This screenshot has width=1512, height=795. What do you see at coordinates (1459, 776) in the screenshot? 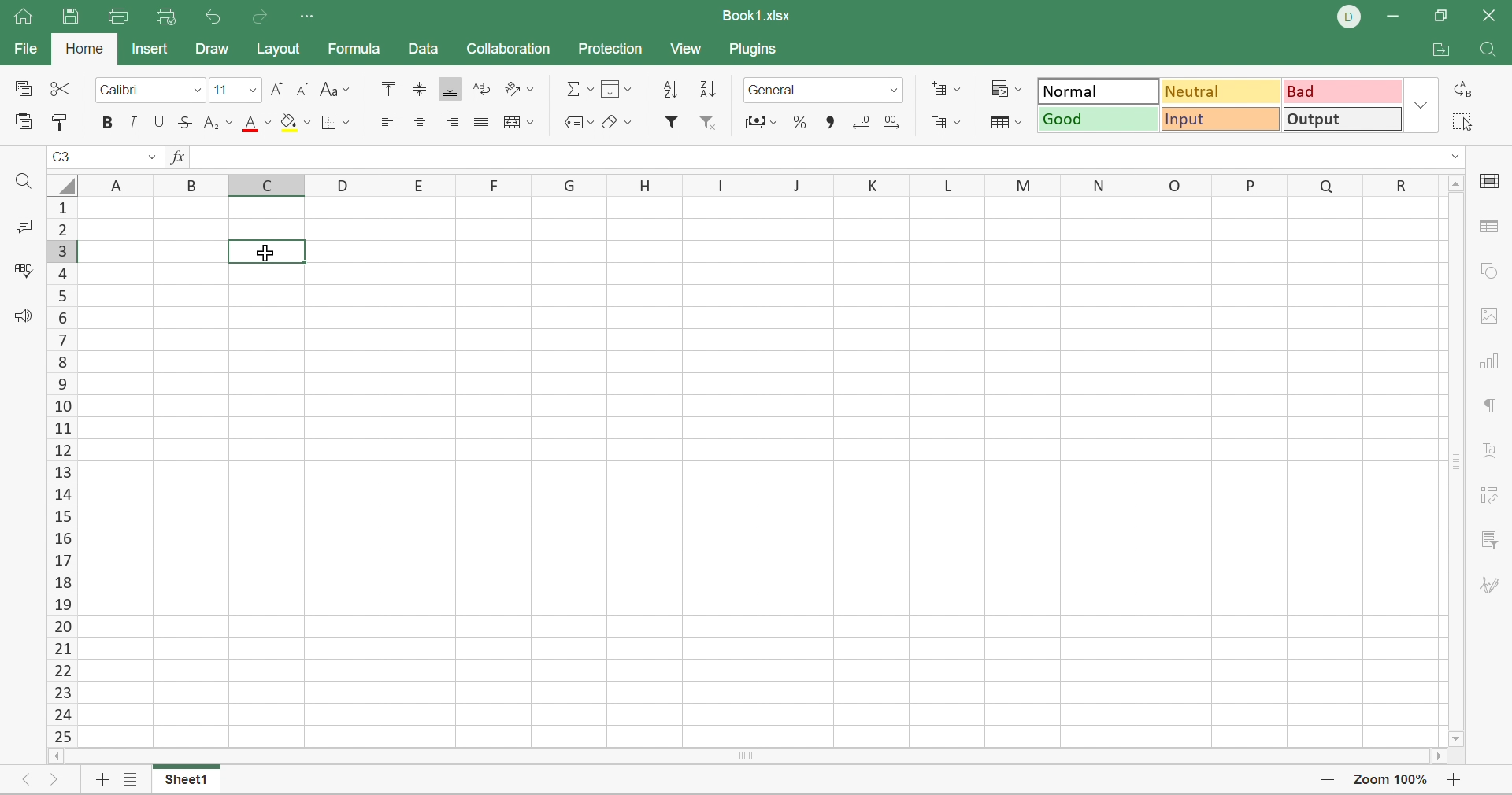
I see `Zoom In` at bounding box center [1459, 776].